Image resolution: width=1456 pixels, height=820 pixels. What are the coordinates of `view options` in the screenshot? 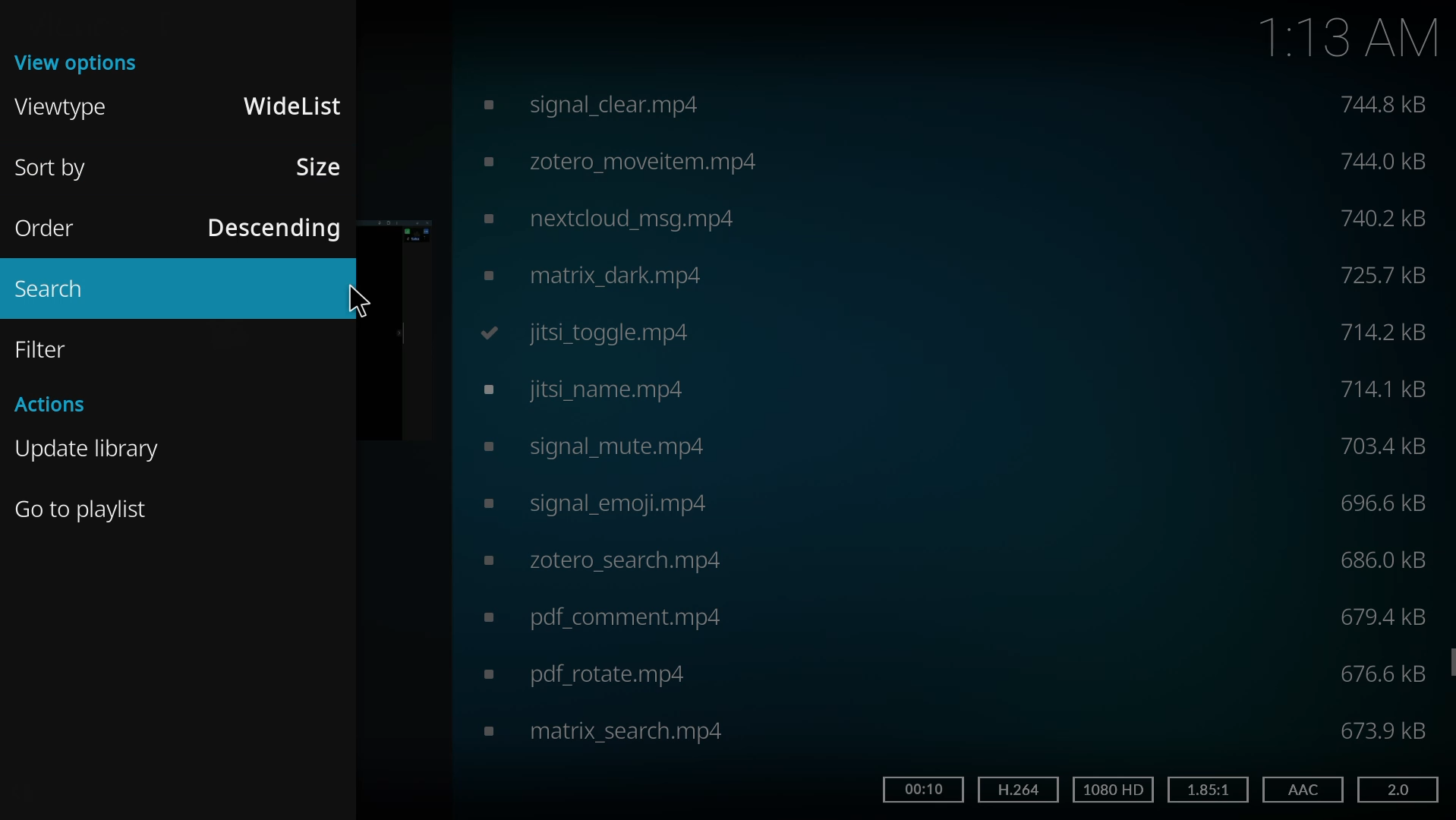 It's located at (80, 61).